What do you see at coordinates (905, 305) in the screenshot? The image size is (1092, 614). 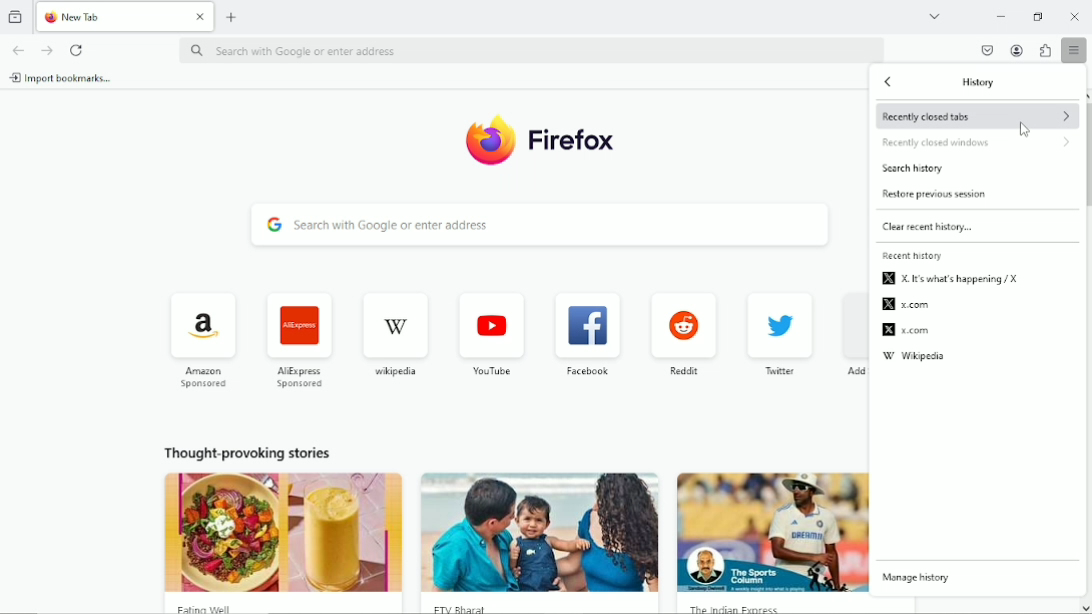 I see `x.com` at bounding box center [905, 305].